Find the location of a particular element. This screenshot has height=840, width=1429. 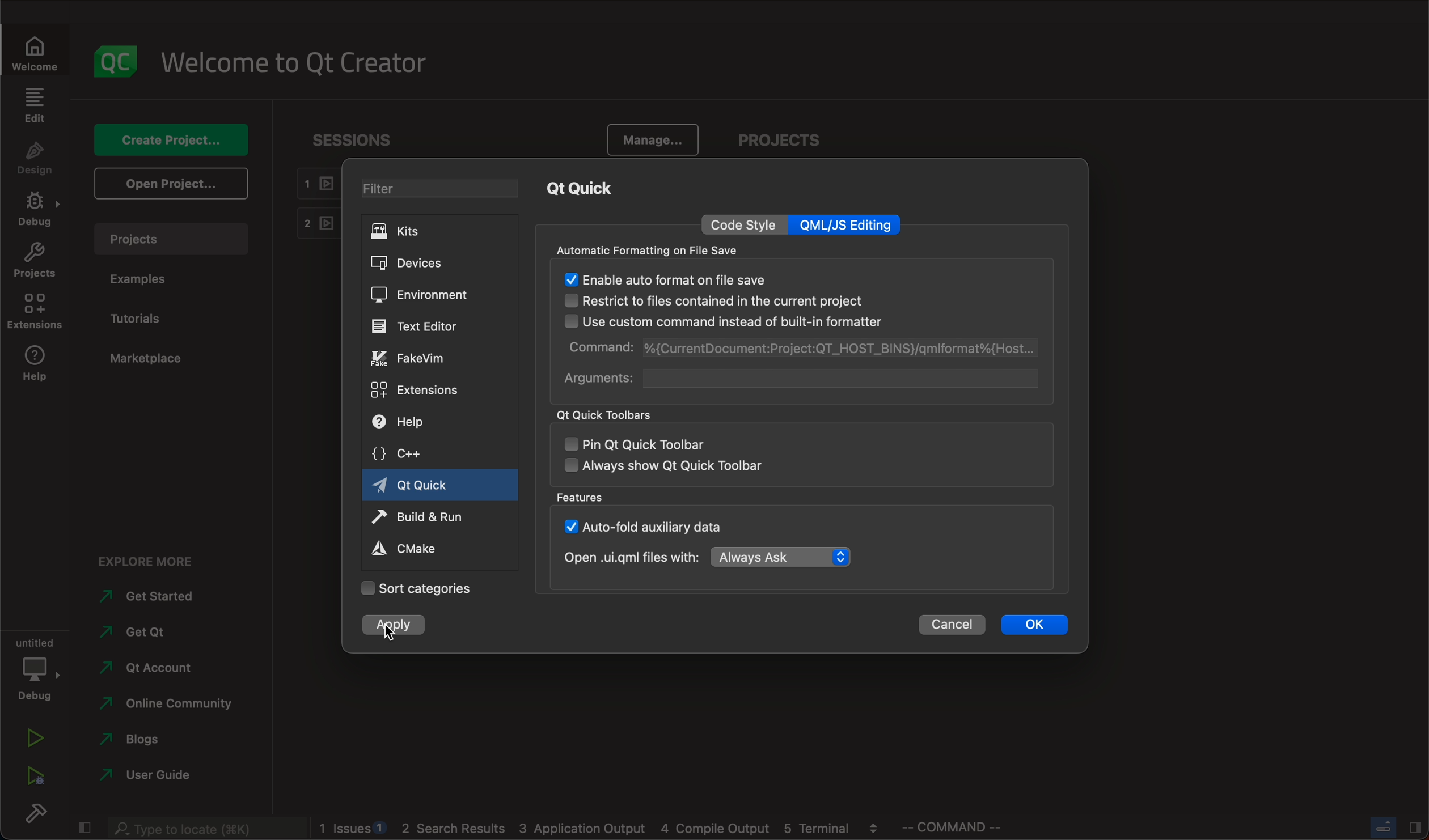

extensions is located at coordinates (418, 392).